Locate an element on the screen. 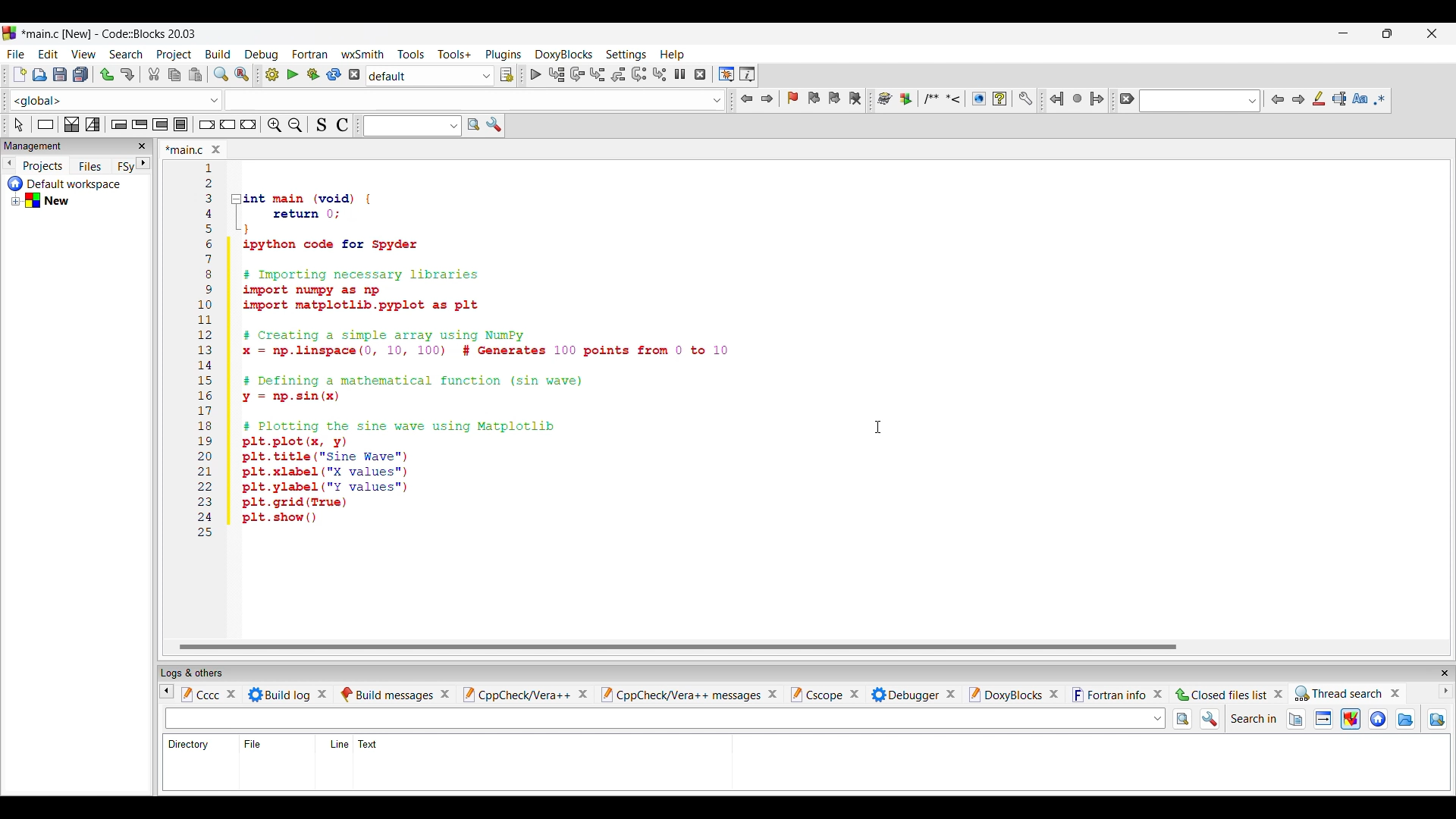 The width and height of the screenshot is (1456, 819). Vertical scroll bar is located at coordinates (689, 645).